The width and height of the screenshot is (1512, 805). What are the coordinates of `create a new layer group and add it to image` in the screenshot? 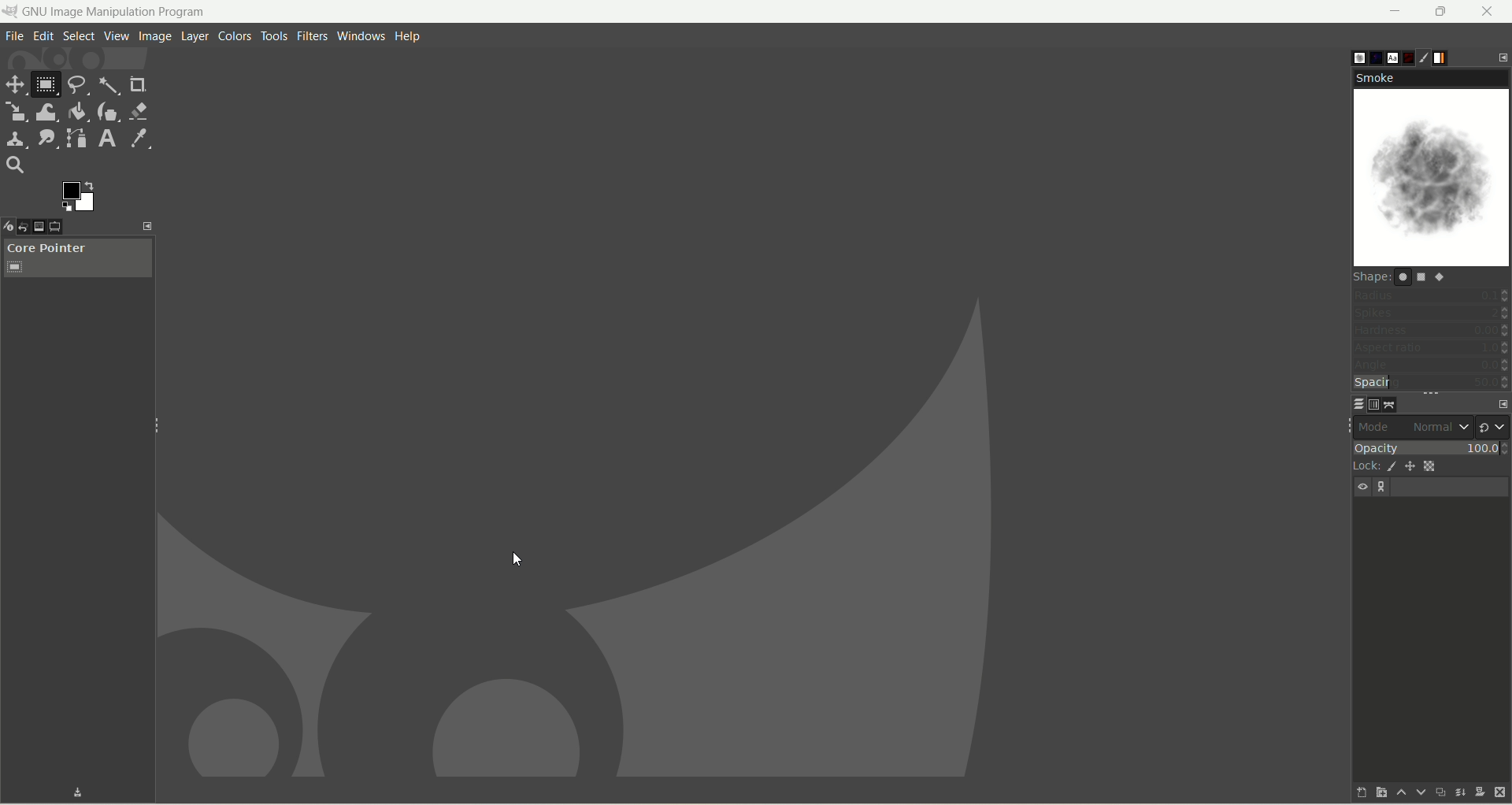 It's located at (1373, 793).